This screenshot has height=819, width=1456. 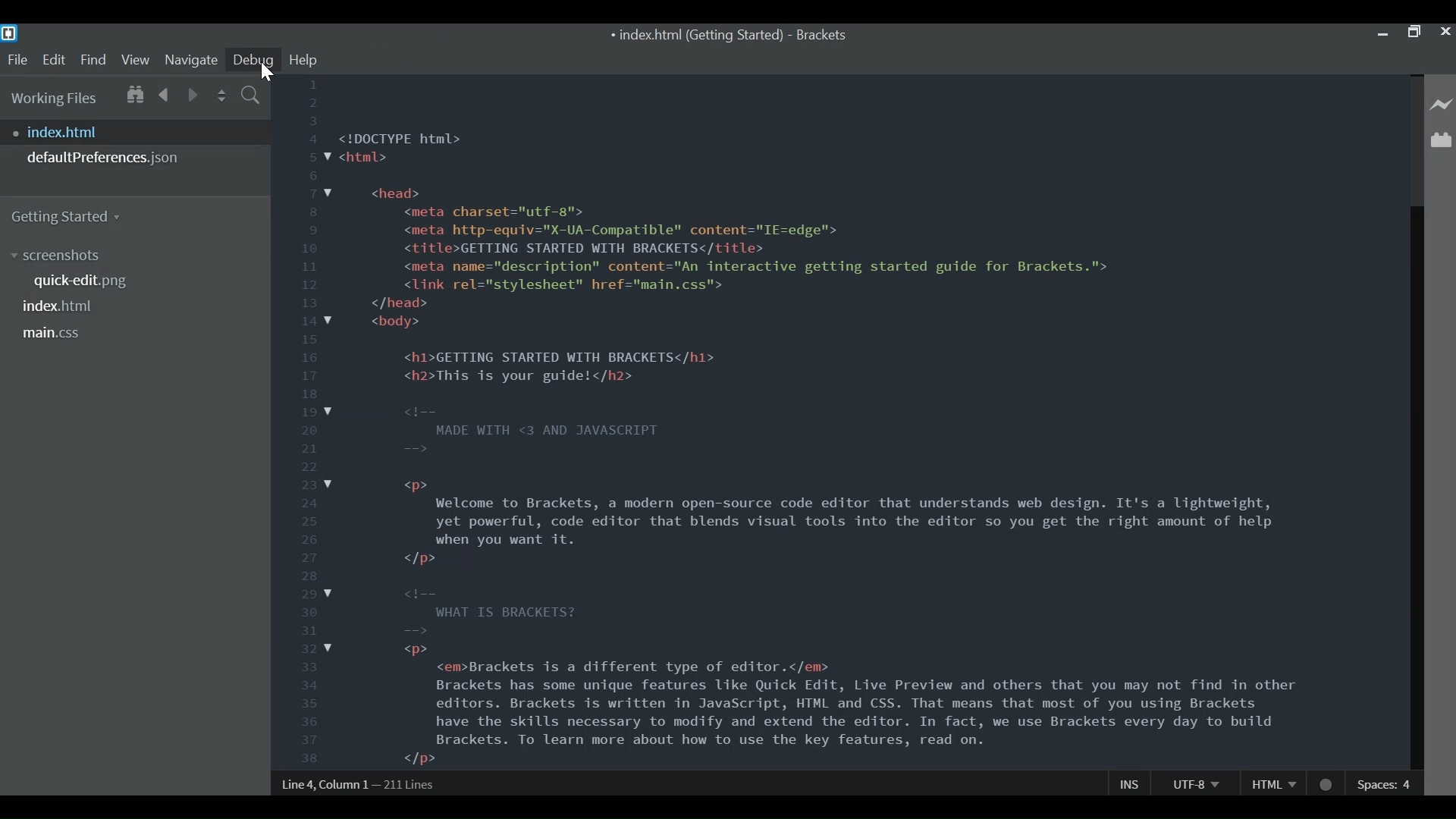 I want to click on Manage Extensions, so click(x=1441, y=140).